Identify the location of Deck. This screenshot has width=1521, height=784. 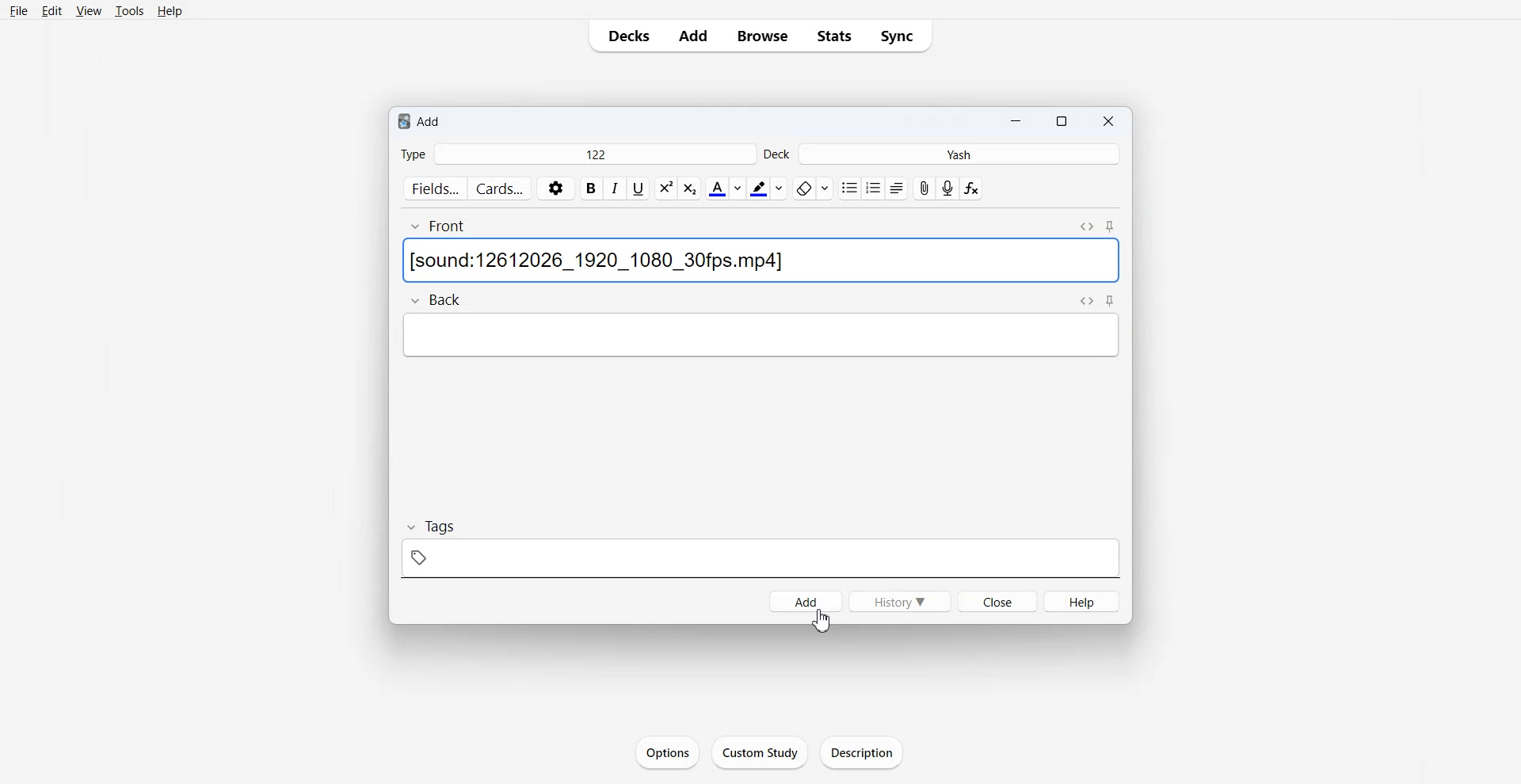
(776, 154).